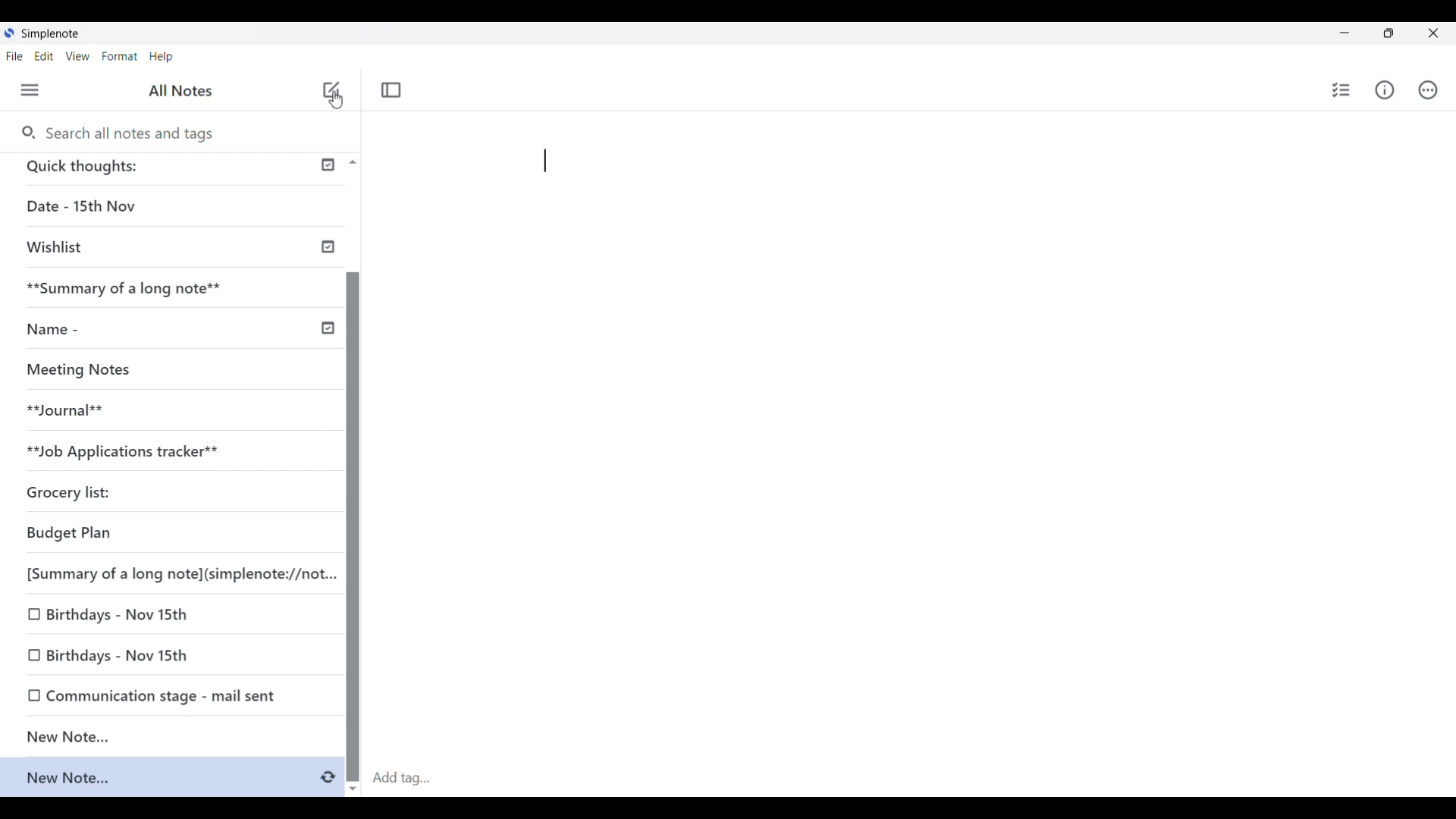 The height and width of the screenshot is (819, 1456). What do you see at coordinates (337, 101) in the screenshot?
I see `Cursor` at bounding box center [337, 101].